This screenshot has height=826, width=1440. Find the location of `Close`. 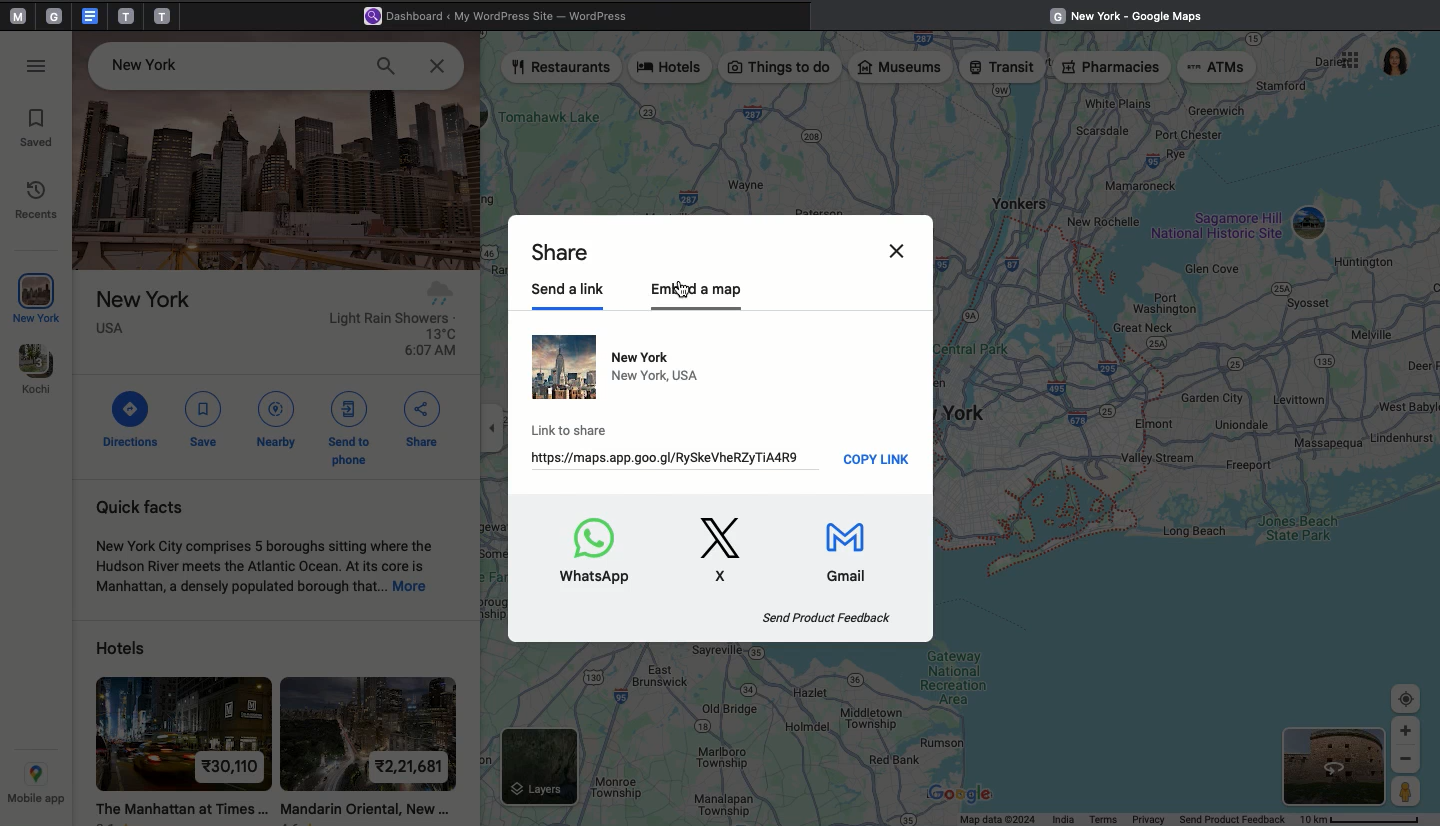

Close is located at coordinates (900, 251).